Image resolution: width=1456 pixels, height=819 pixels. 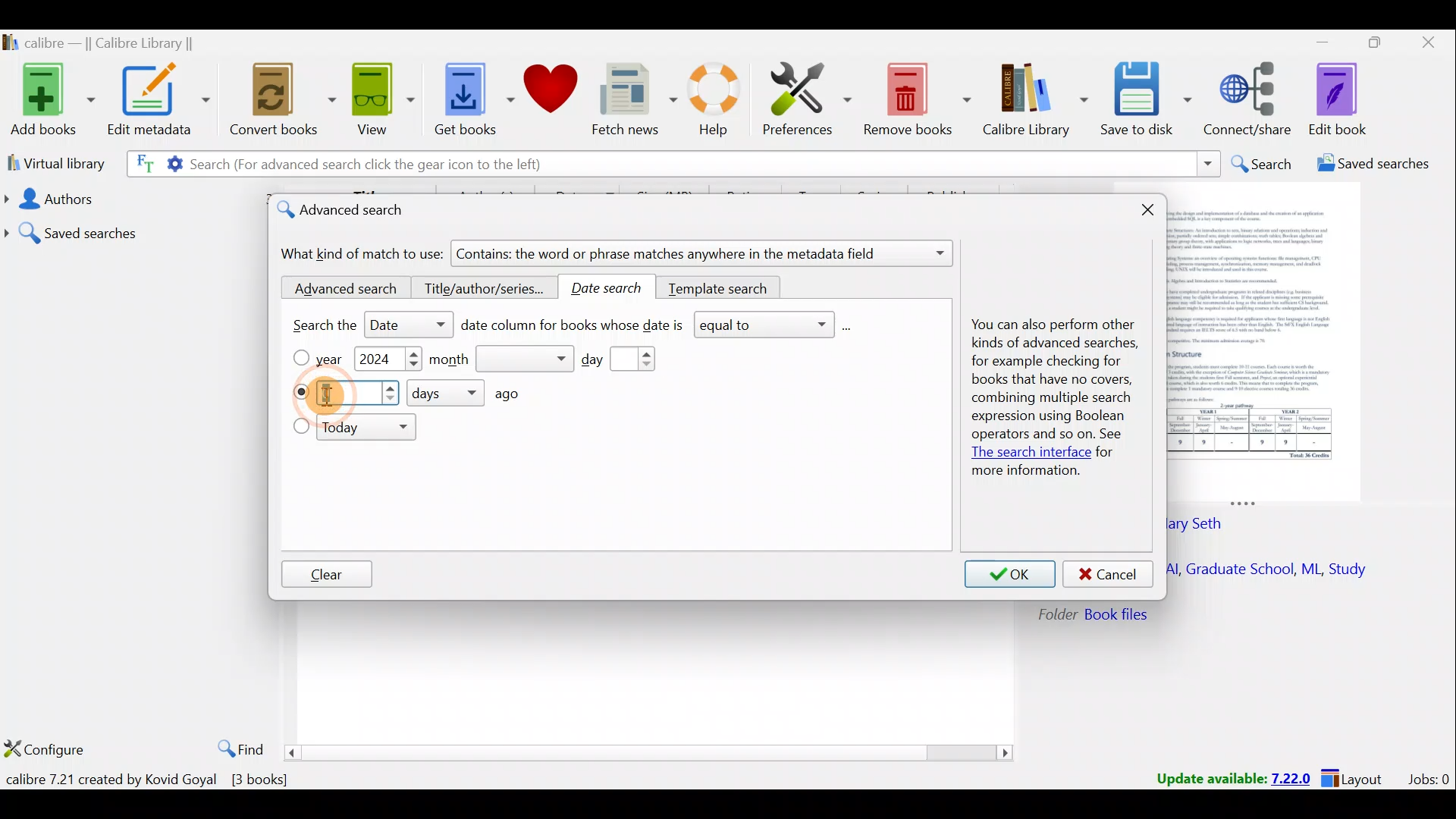 I want to click on Day, so click(x=629, y=359).